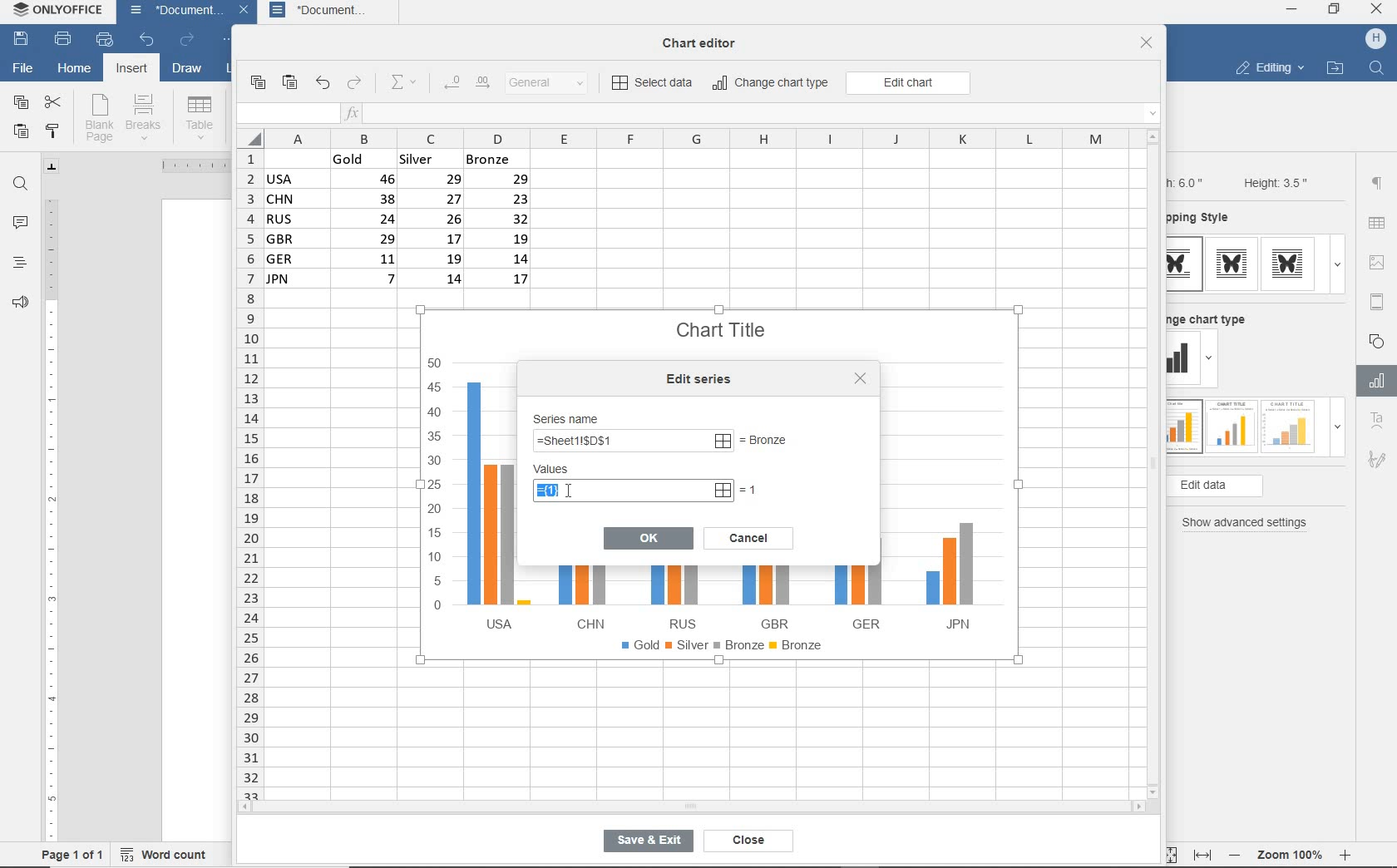  I want to click on cursor, so click(568, 488).